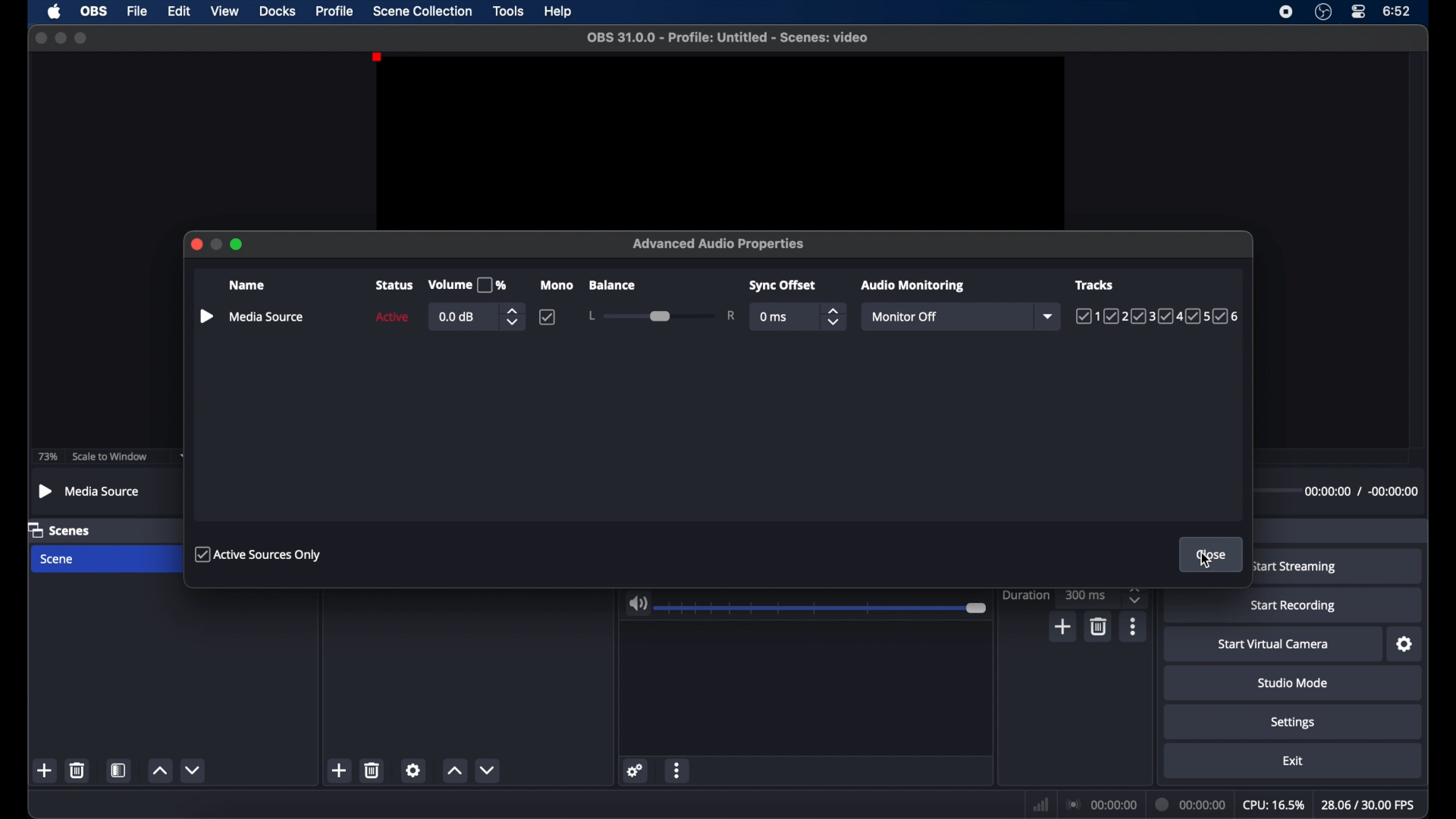 The image size is (1456, 819). I want to click on cursor, so click(1207, 563).